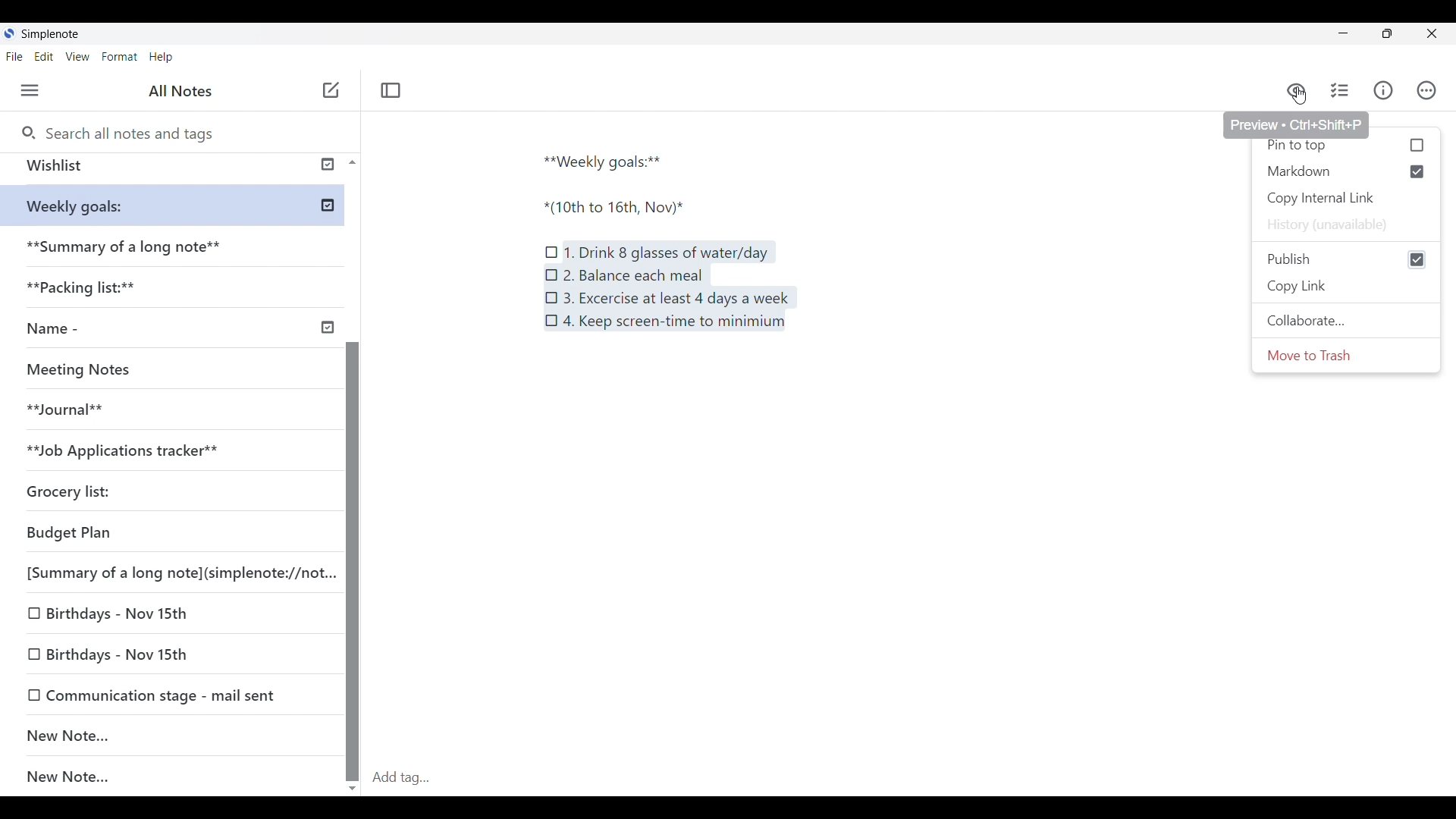  What do you see at coordinates (1351, 171) in the screenshot?
I see `markdown` at bounding box center [1351, 171].